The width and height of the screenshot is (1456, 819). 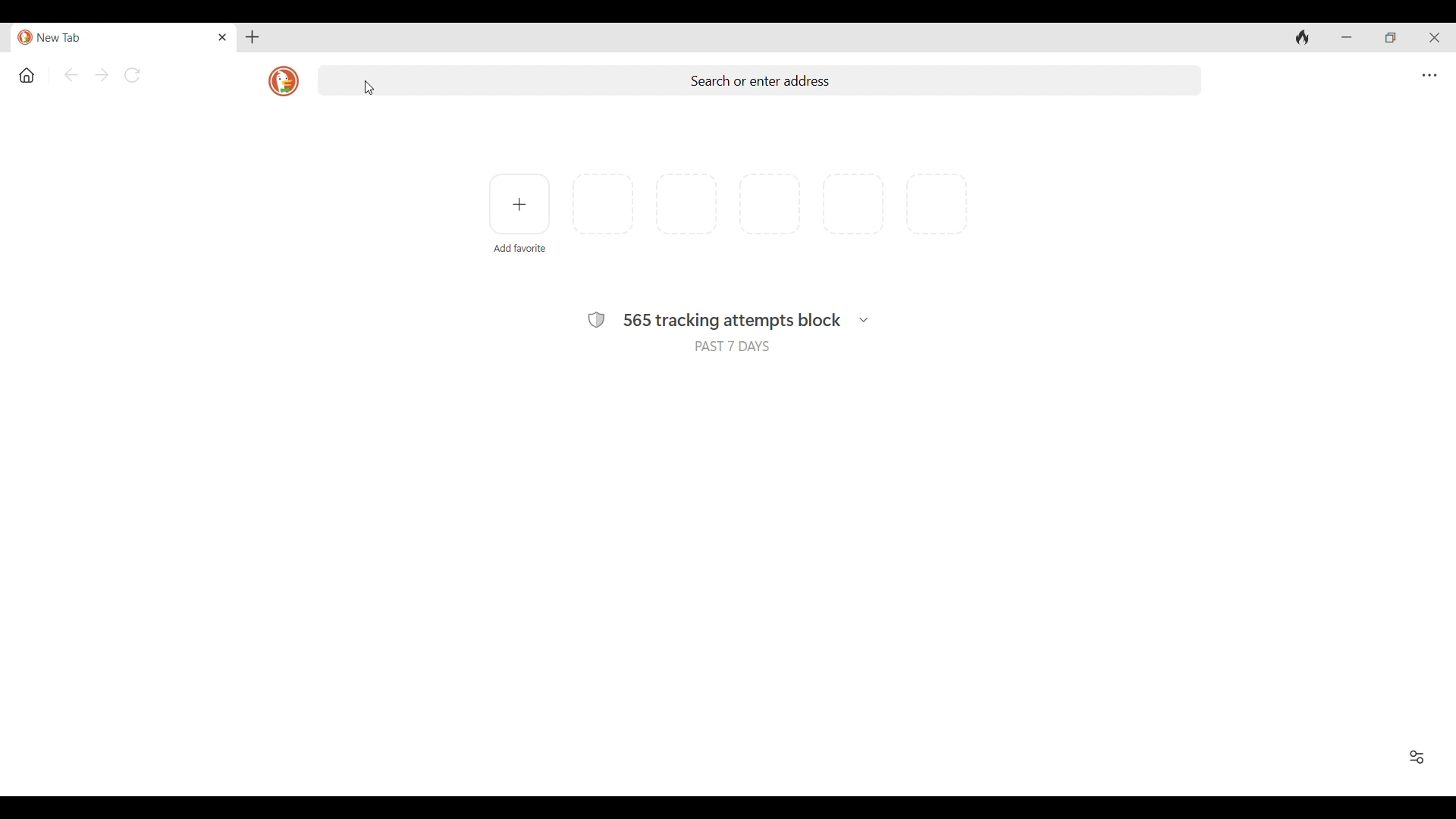 I want to click on New tab, so click(x=112, y=38).